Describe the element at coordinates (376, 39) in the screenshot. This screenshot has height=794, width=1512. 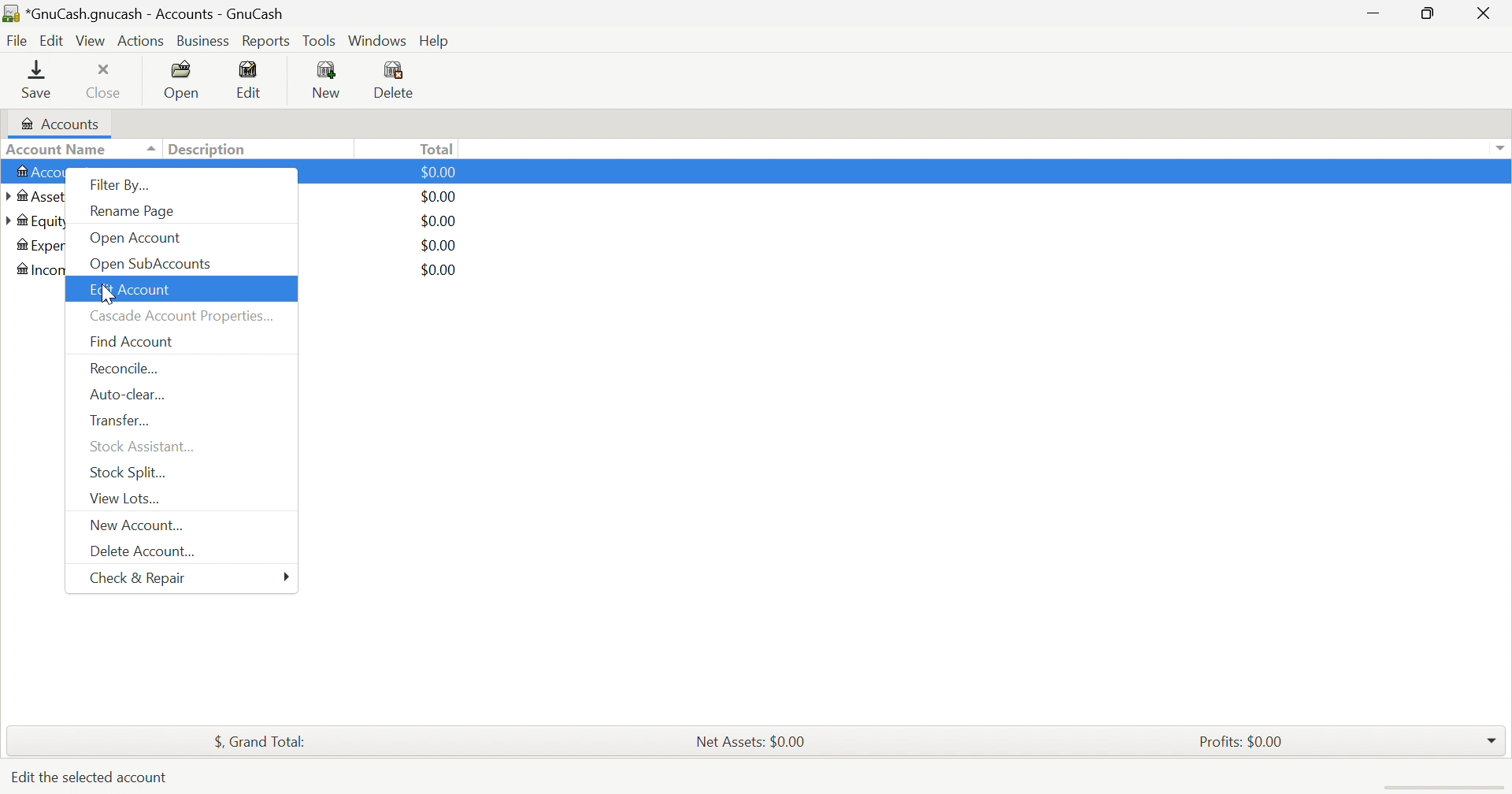
I see `Windows` at that location.